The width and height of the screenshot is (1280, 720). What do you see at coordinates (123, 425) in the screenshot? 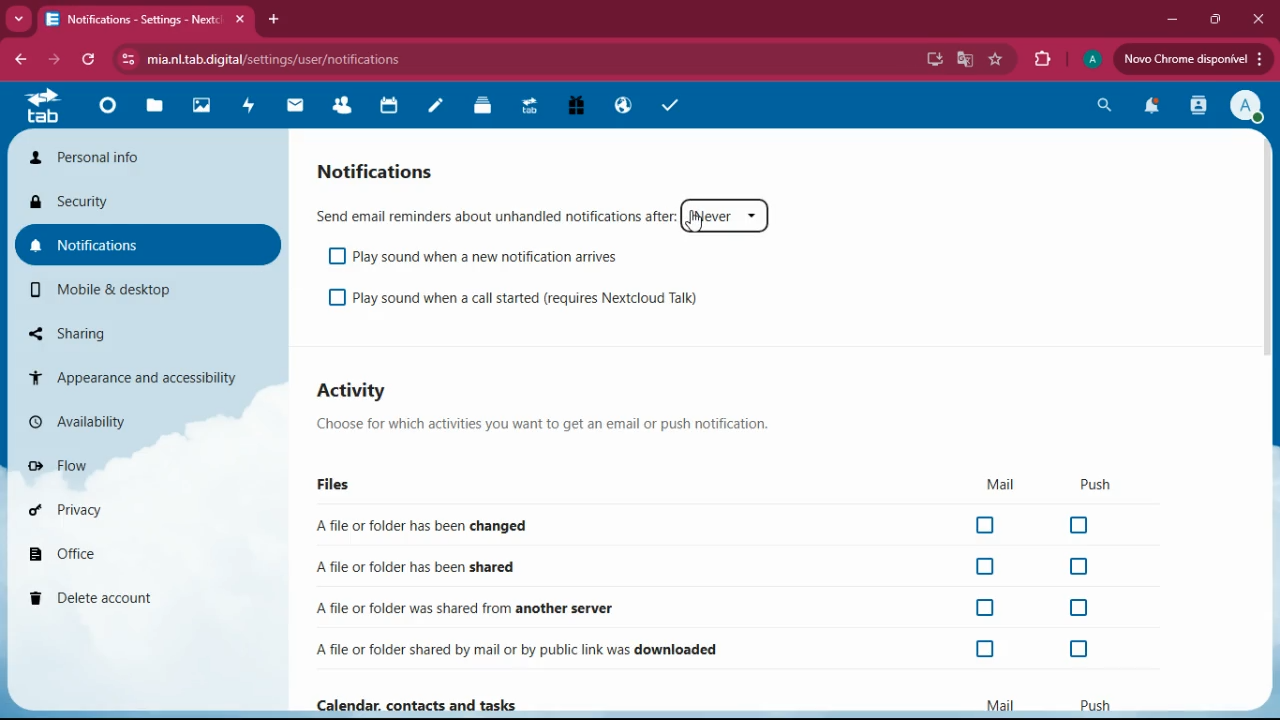
I see `availability` at bounding box center [123, 425].